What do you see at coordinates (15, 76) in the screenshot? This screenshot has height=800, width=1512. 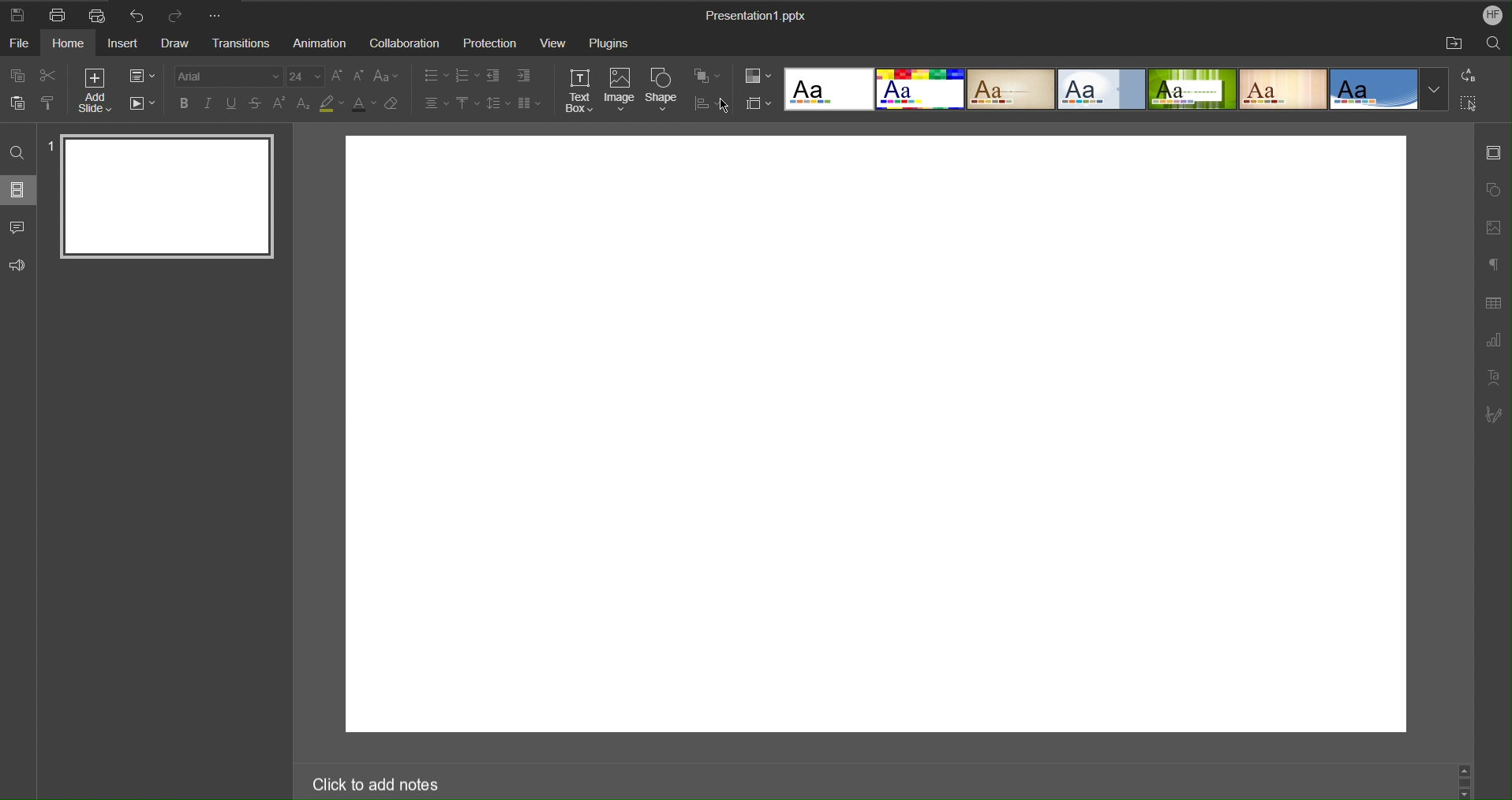 I see `Copy` at bounding box center [15, 76].